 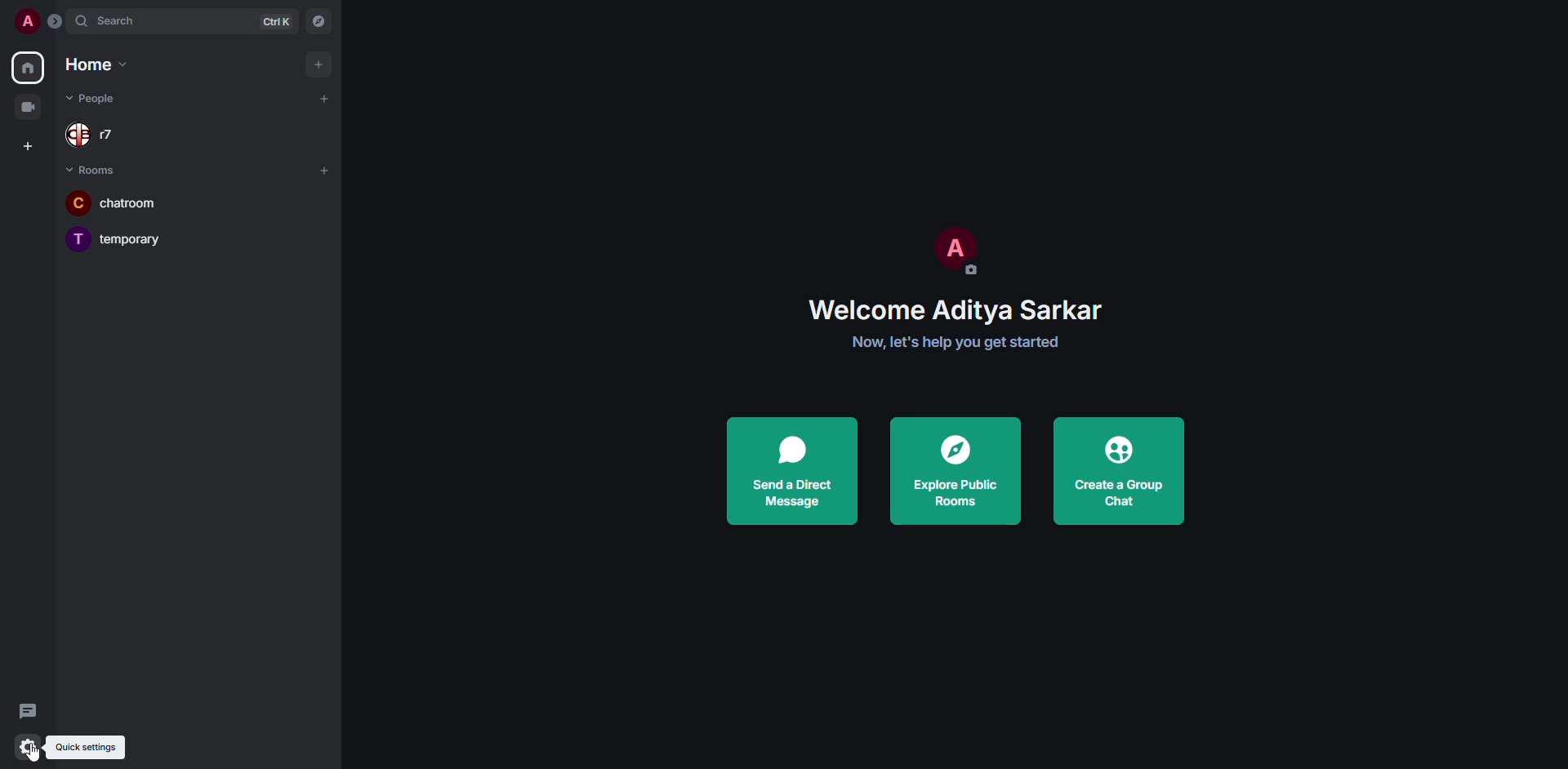 What do you see at coordinates (324, 98) in the screenshot?
I see `add` at bounding box center [324, 98].